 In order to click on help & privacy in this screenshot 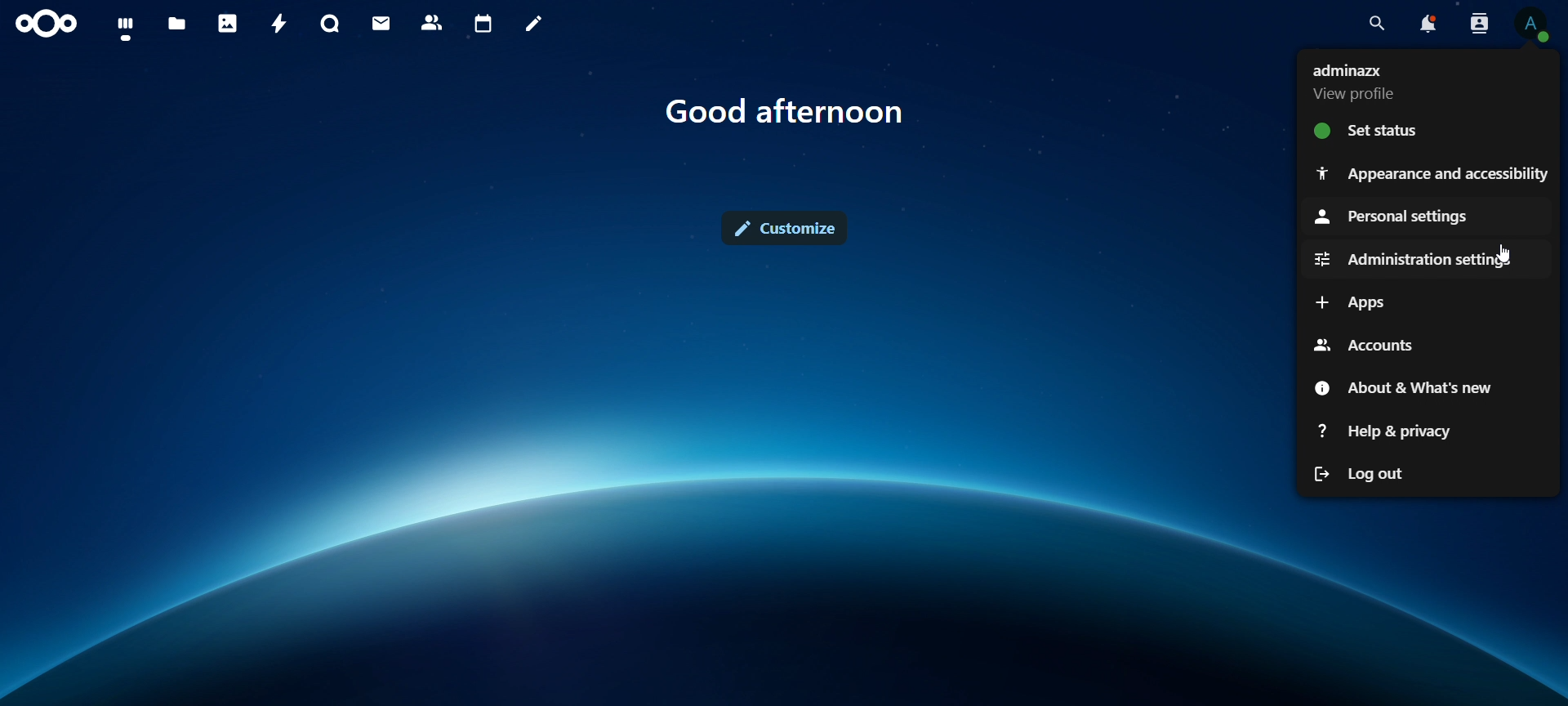, I will do `click(1383, 432)`.